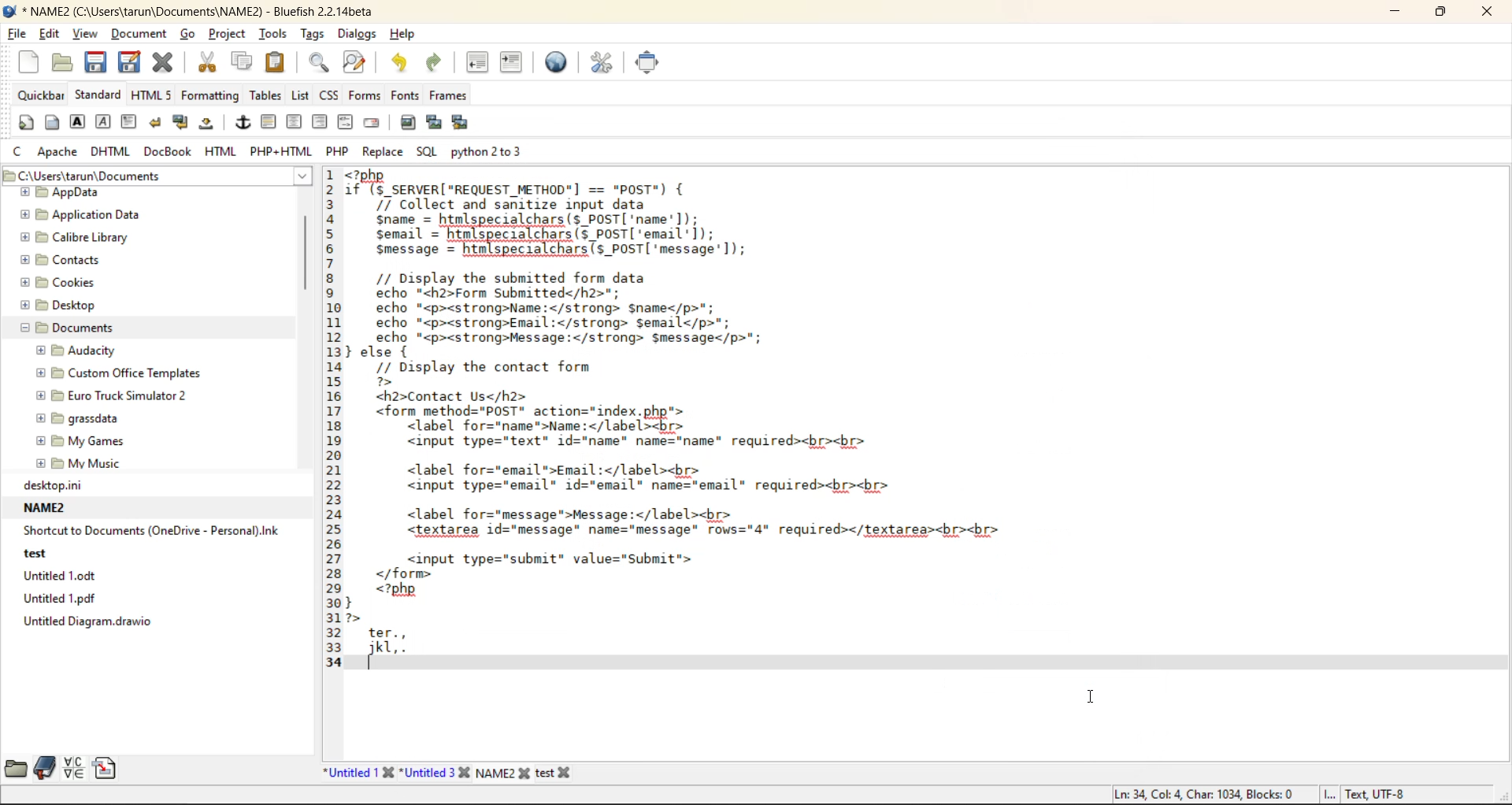 This screenshot has height=805, width=1512. Describe the element at coordinates (208, 11) in the screenshot. I see `new file name` at that location.